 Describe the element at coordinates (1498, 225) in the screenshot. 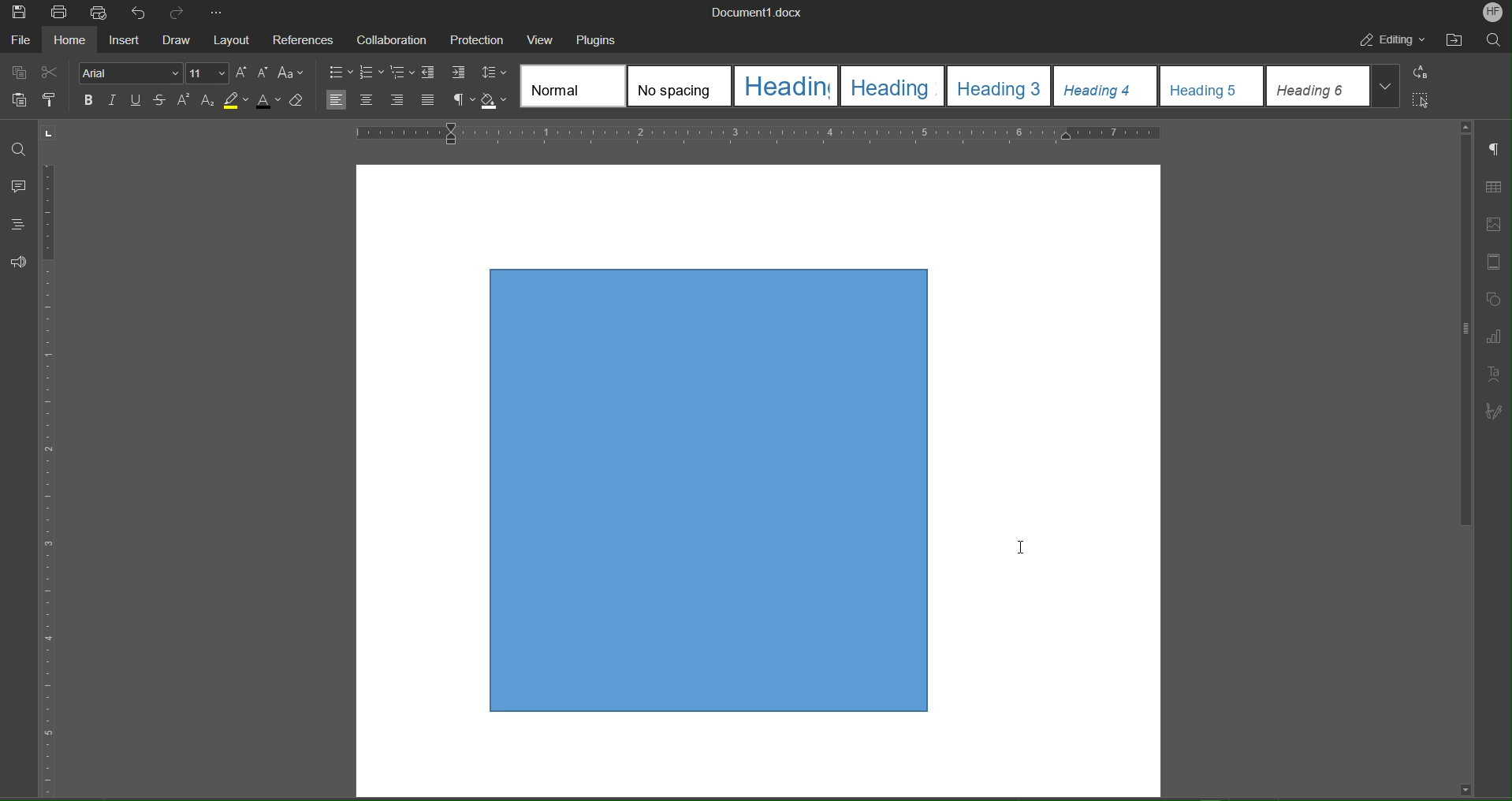

I see `Insert Image` at that location.